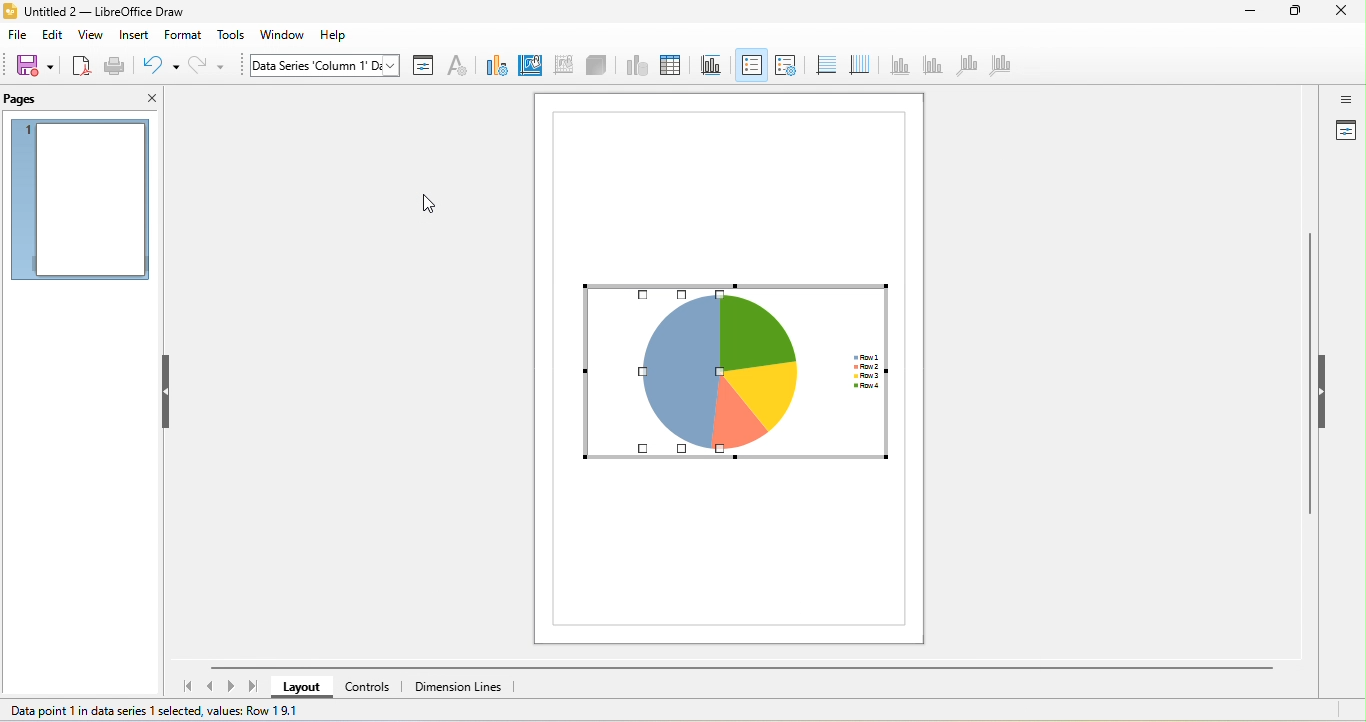  Describe the element at coordinates (184, 687) in the screenshot. I see `first` at that location.